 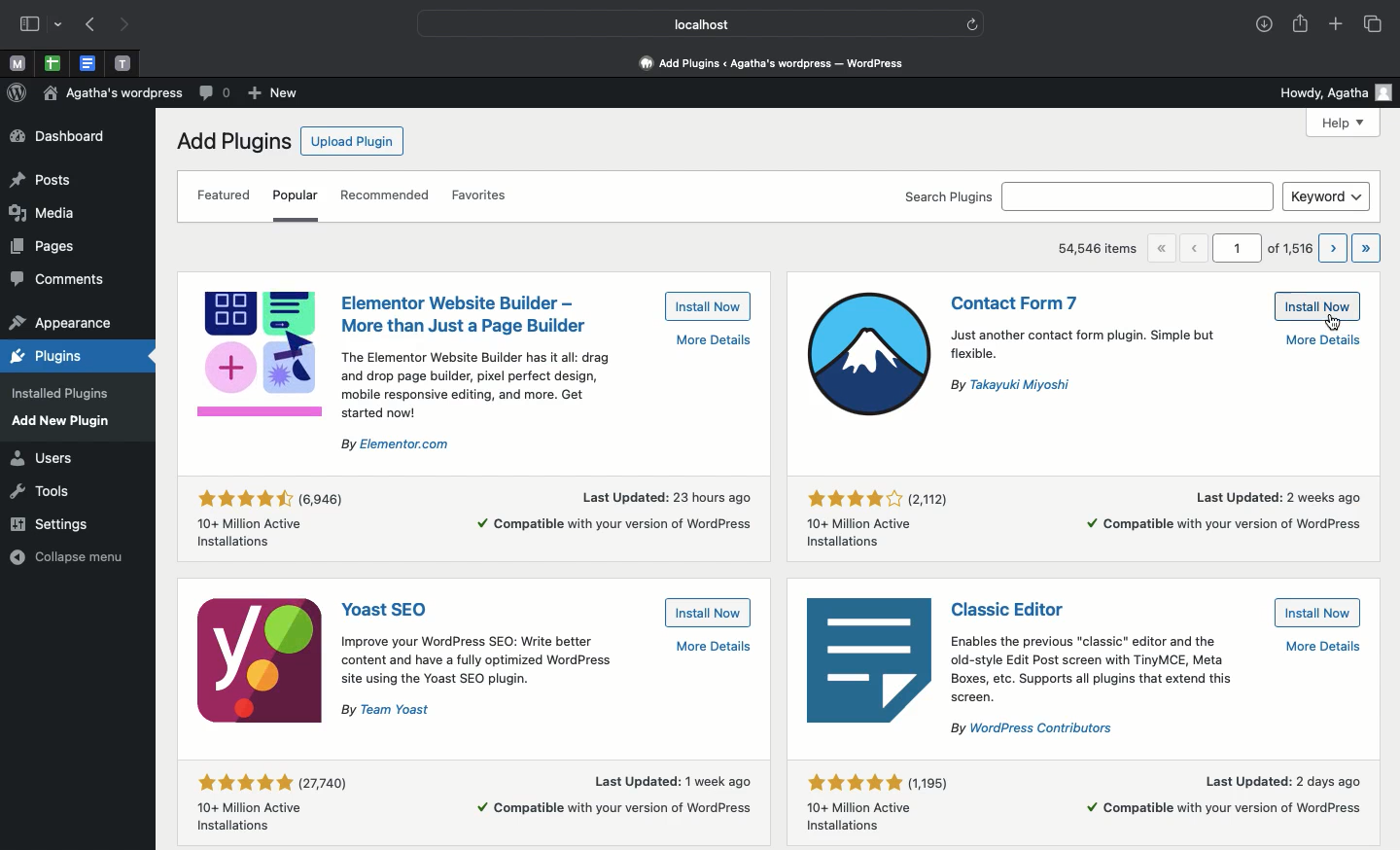 What do you see at coordinates (127, 25) in the screenshot?
I see `Next page` at bounding box center [127, 25].